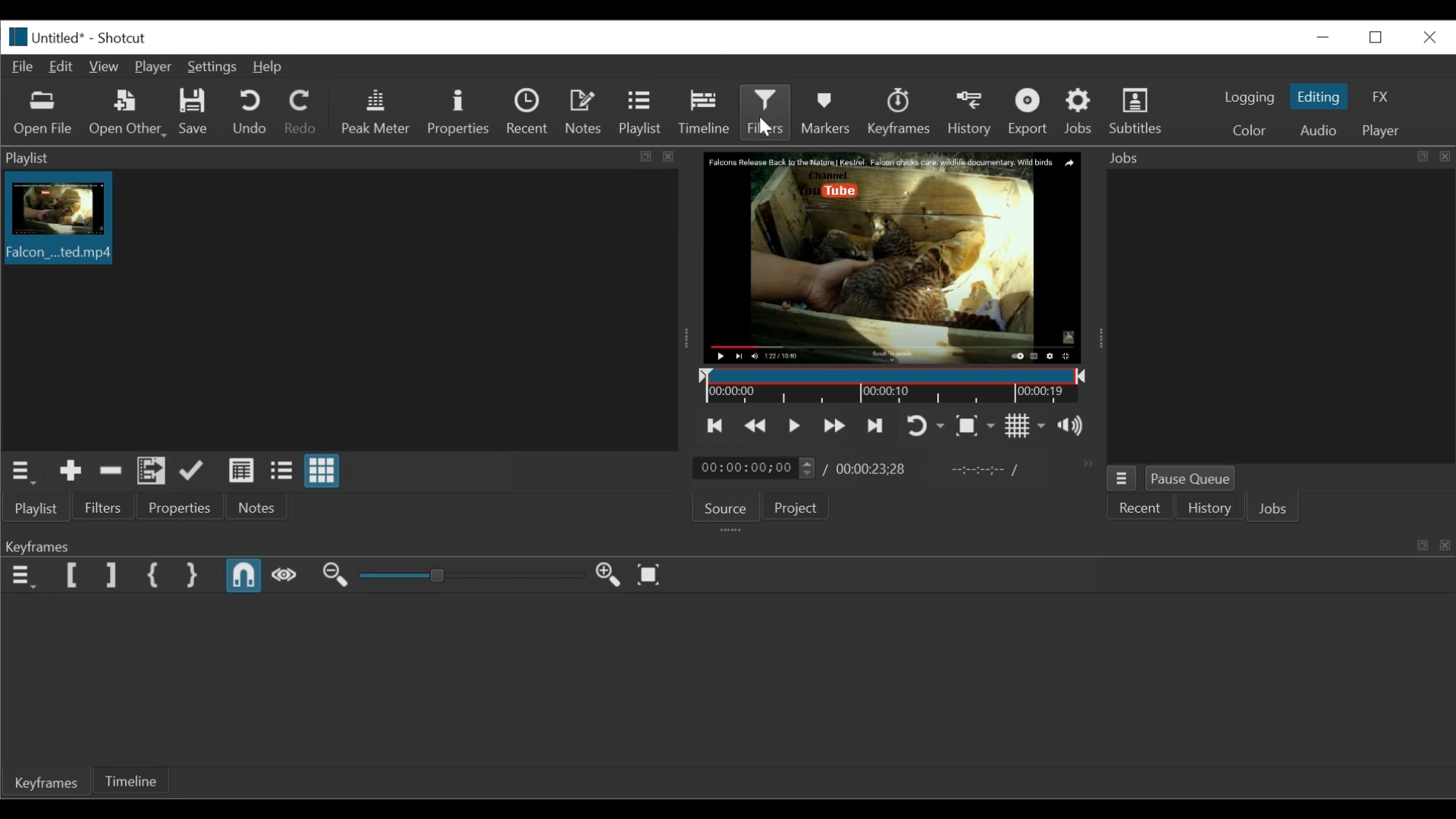 The image size is (1456, 819). What do you see at coordinates (1141, 507) in the screenshot?
I see `Recent` at bounding box center [1141, 507].